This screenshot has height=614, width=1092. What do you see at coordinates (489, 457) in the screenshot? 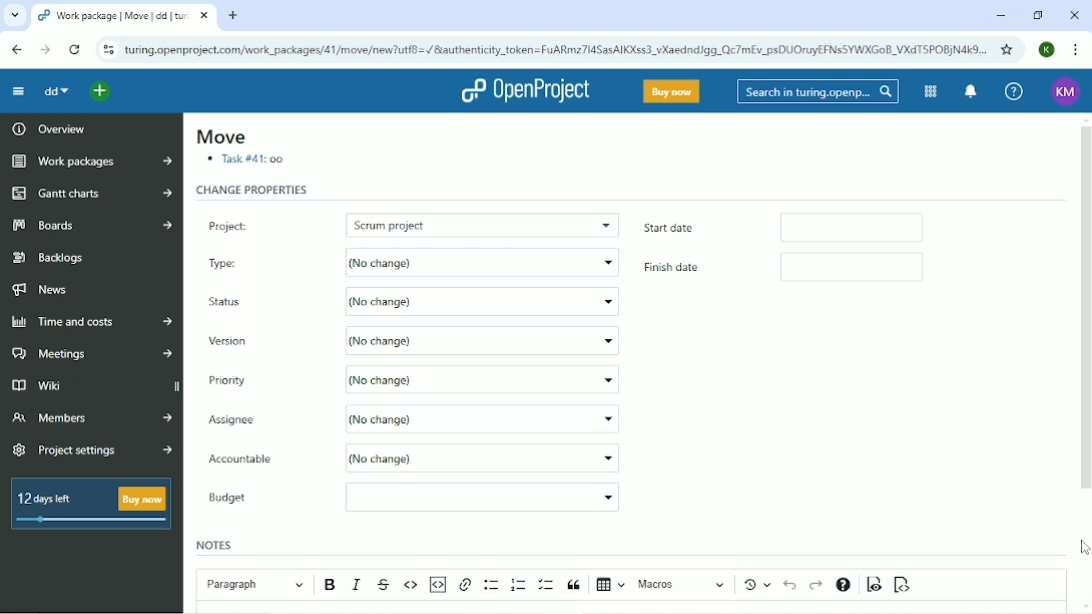
I see `(No change)` at bounding box center [489, 457].